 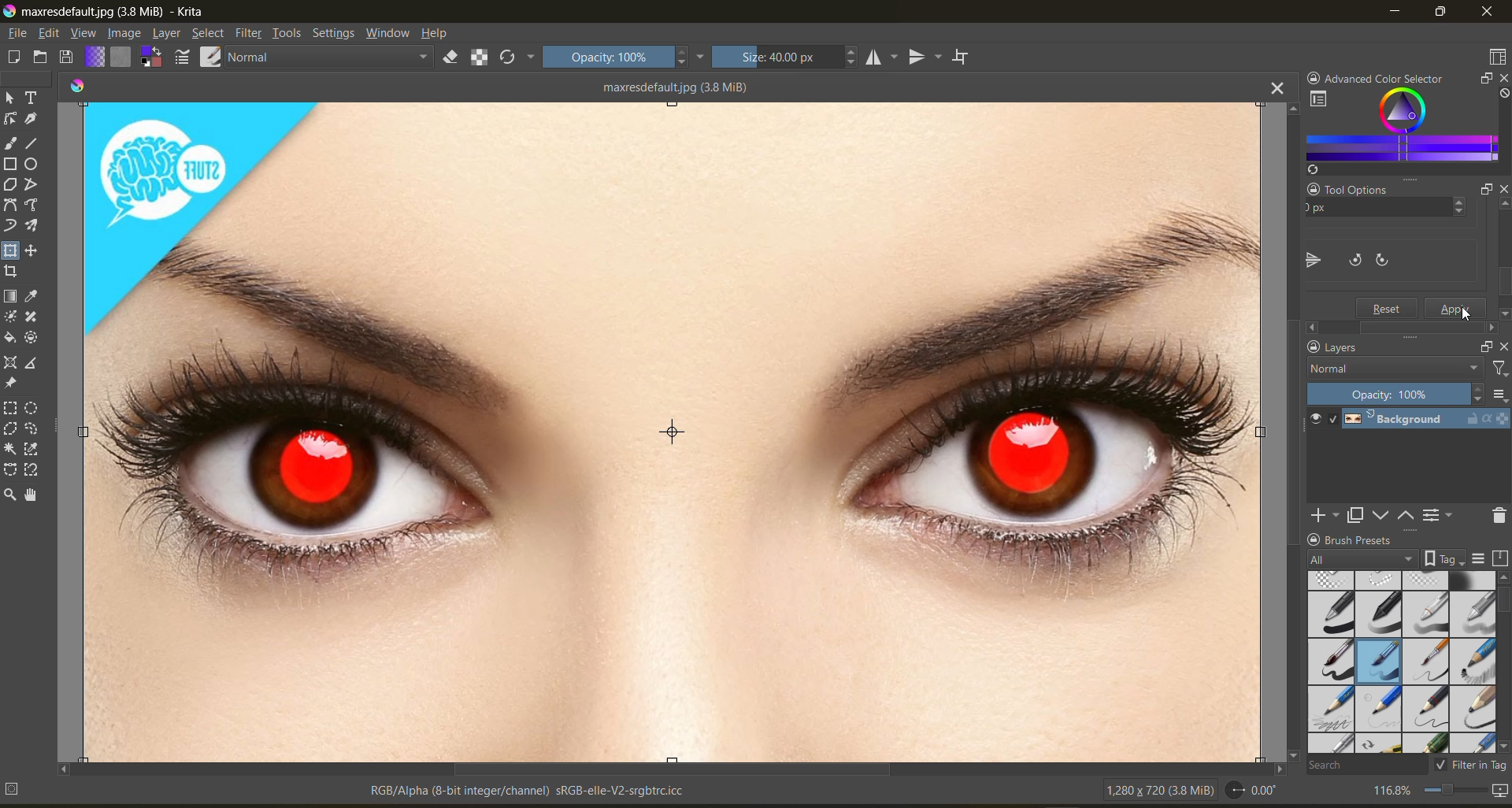 What do you see at coordinates (97, 56) in the screenshot?
I see `fill gradients` at bounding box center [97, 56].